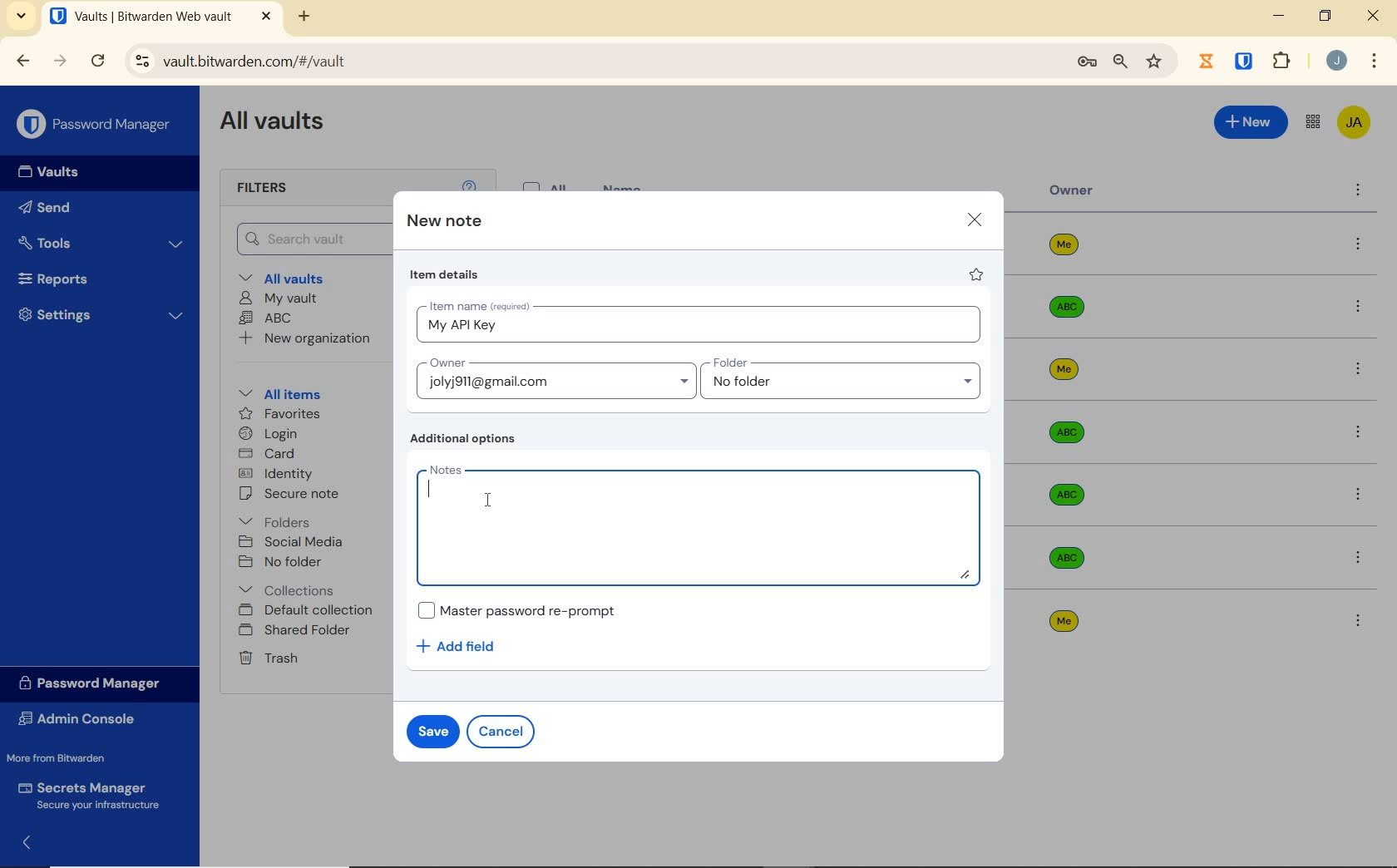  What do you see at coordinates (1359, 372) in the screenshot?
I see `more options` at bounding box center [1359, 372].